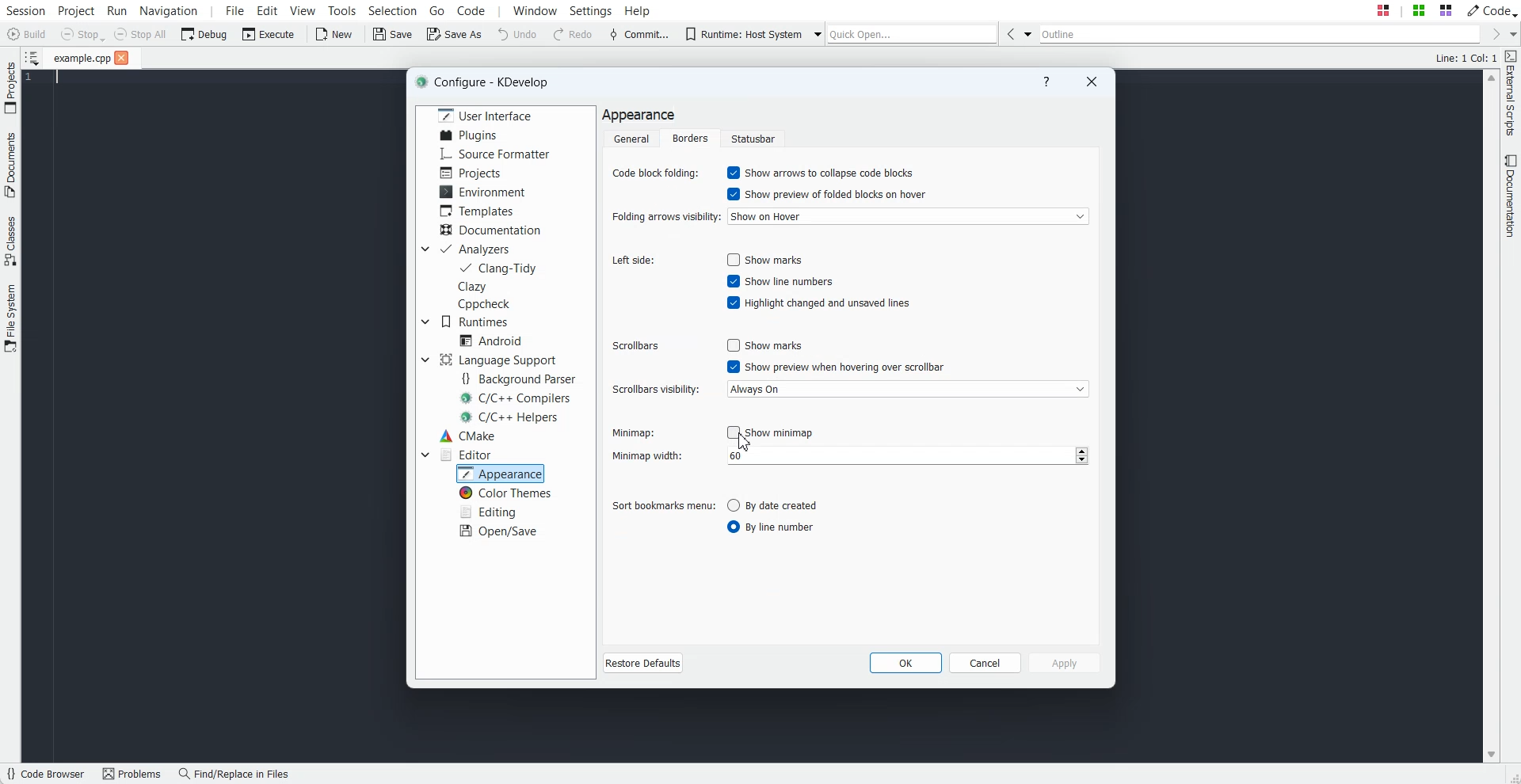 This screenshot has width=1521, height=784. Describe the element at coordinates (783, 504) in the screenshot. I see `Disable by date created` at that location.